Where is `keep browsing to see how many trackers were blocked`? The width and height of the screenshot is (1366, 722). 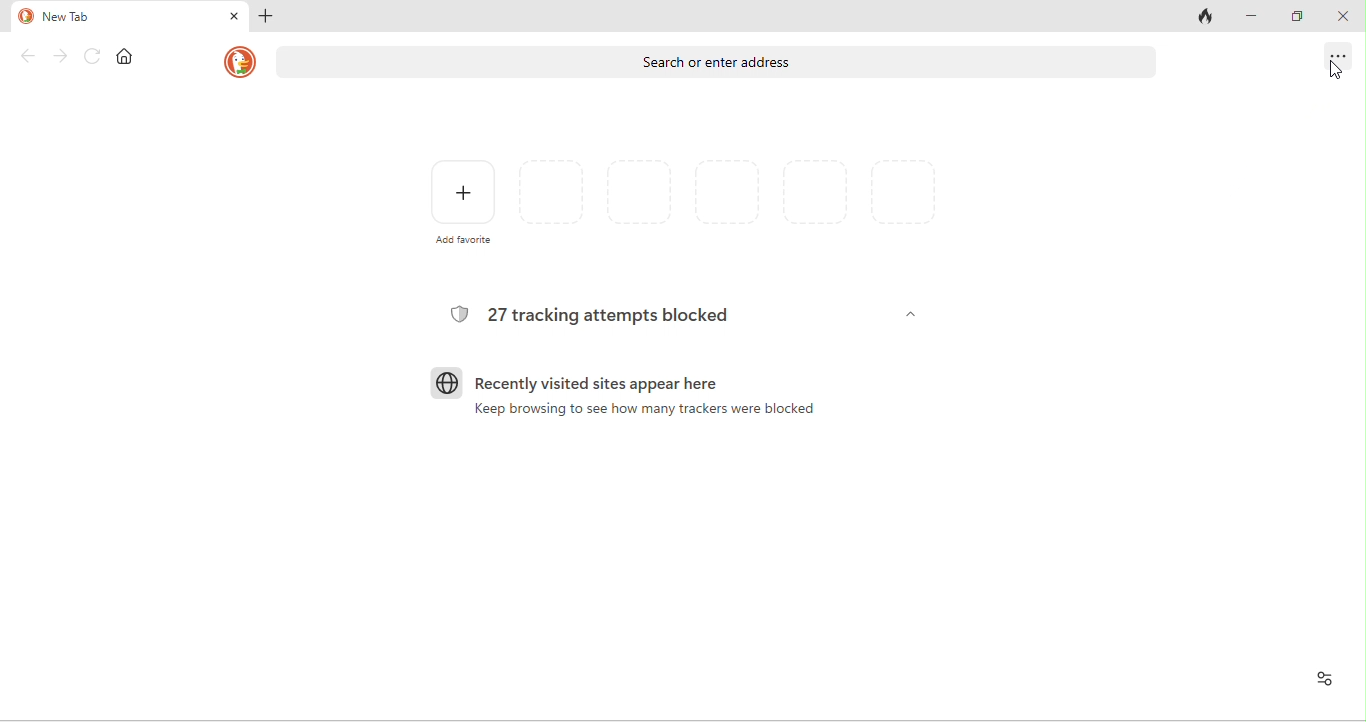
keep browsing to see how many trackers were blocked is located at coordinates (645, 413).